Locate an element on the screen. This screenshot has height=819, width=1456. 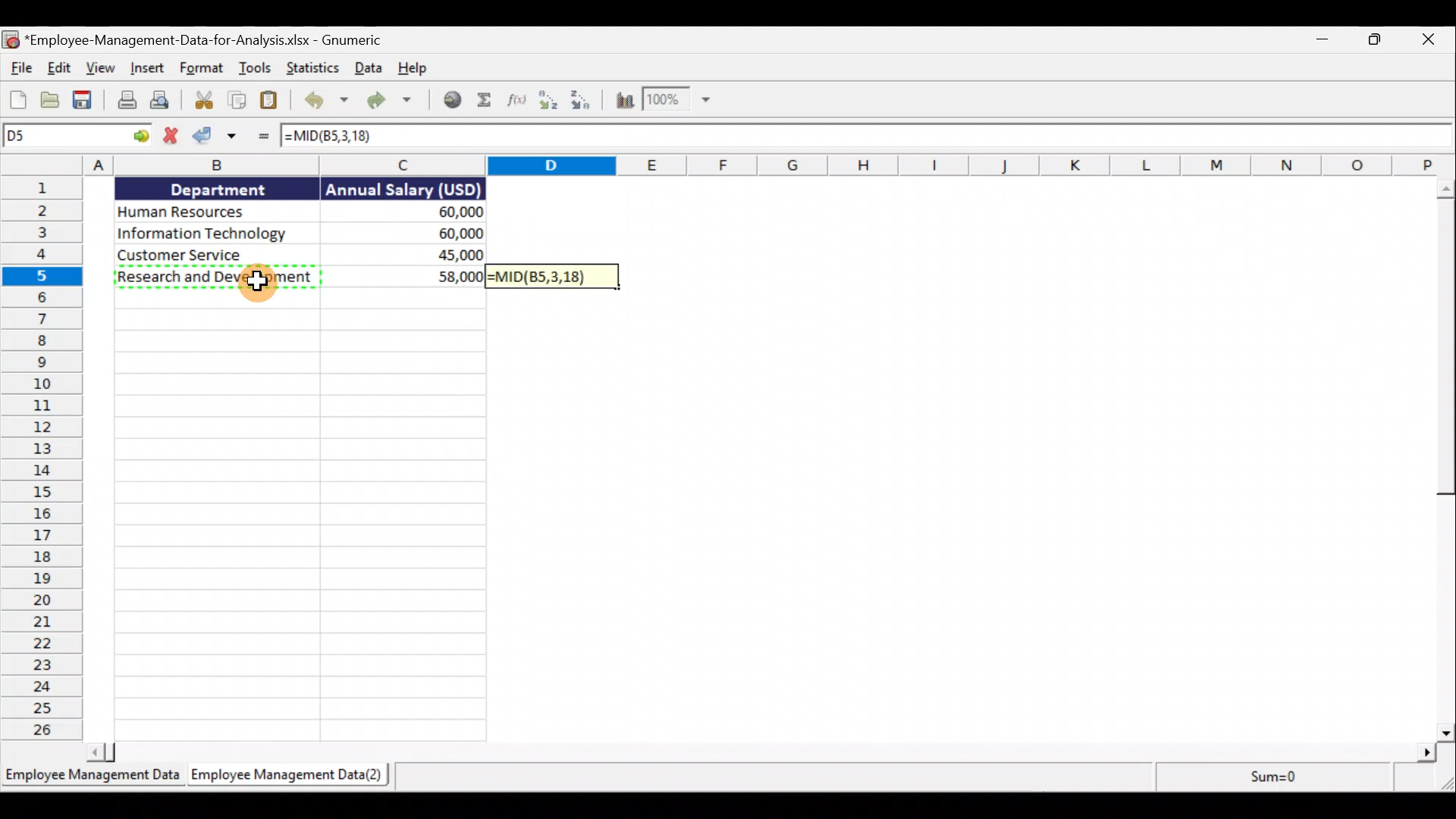
Sum into the current cell is located at coordinates (485, 103).